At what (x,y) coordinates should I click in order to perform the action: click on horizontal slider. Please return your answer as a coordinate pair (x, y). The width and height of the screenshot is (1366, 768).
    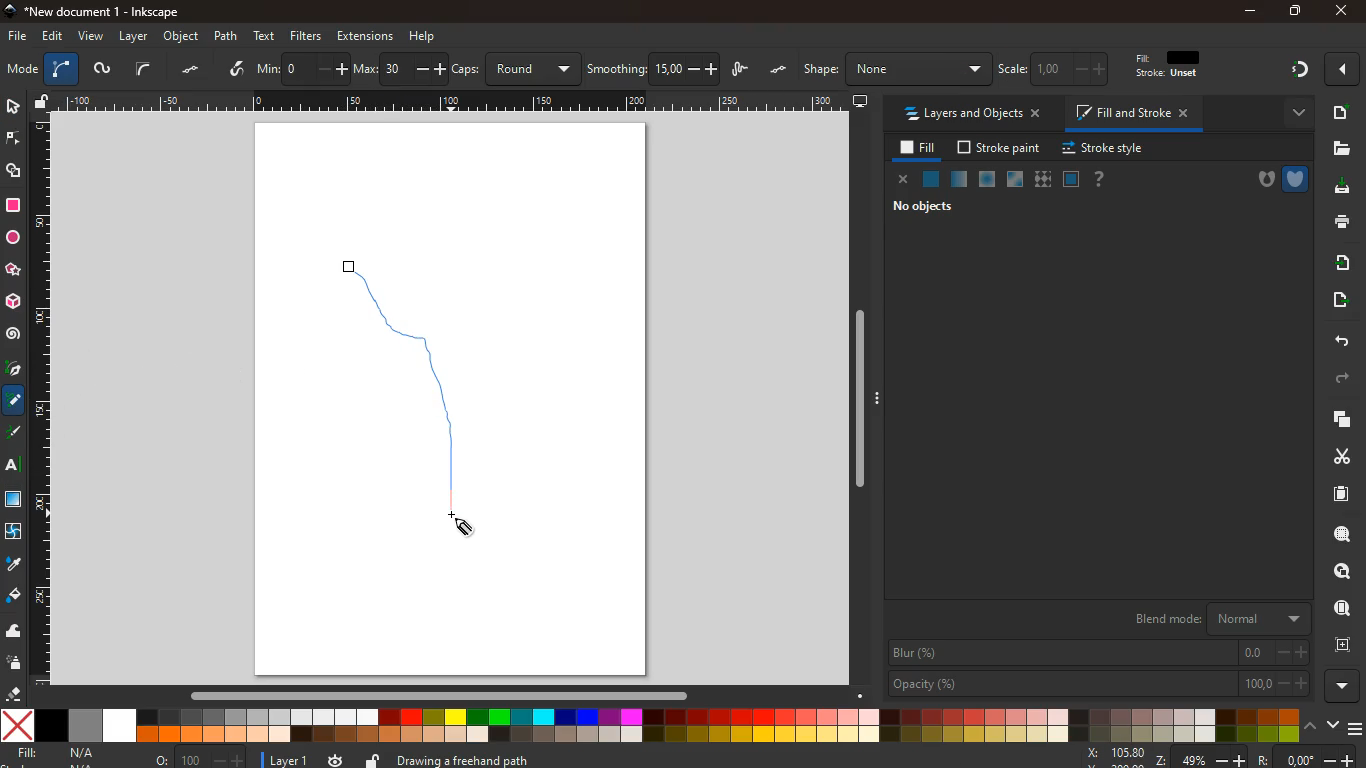
    Looking at the image, I should click on (443, 694).